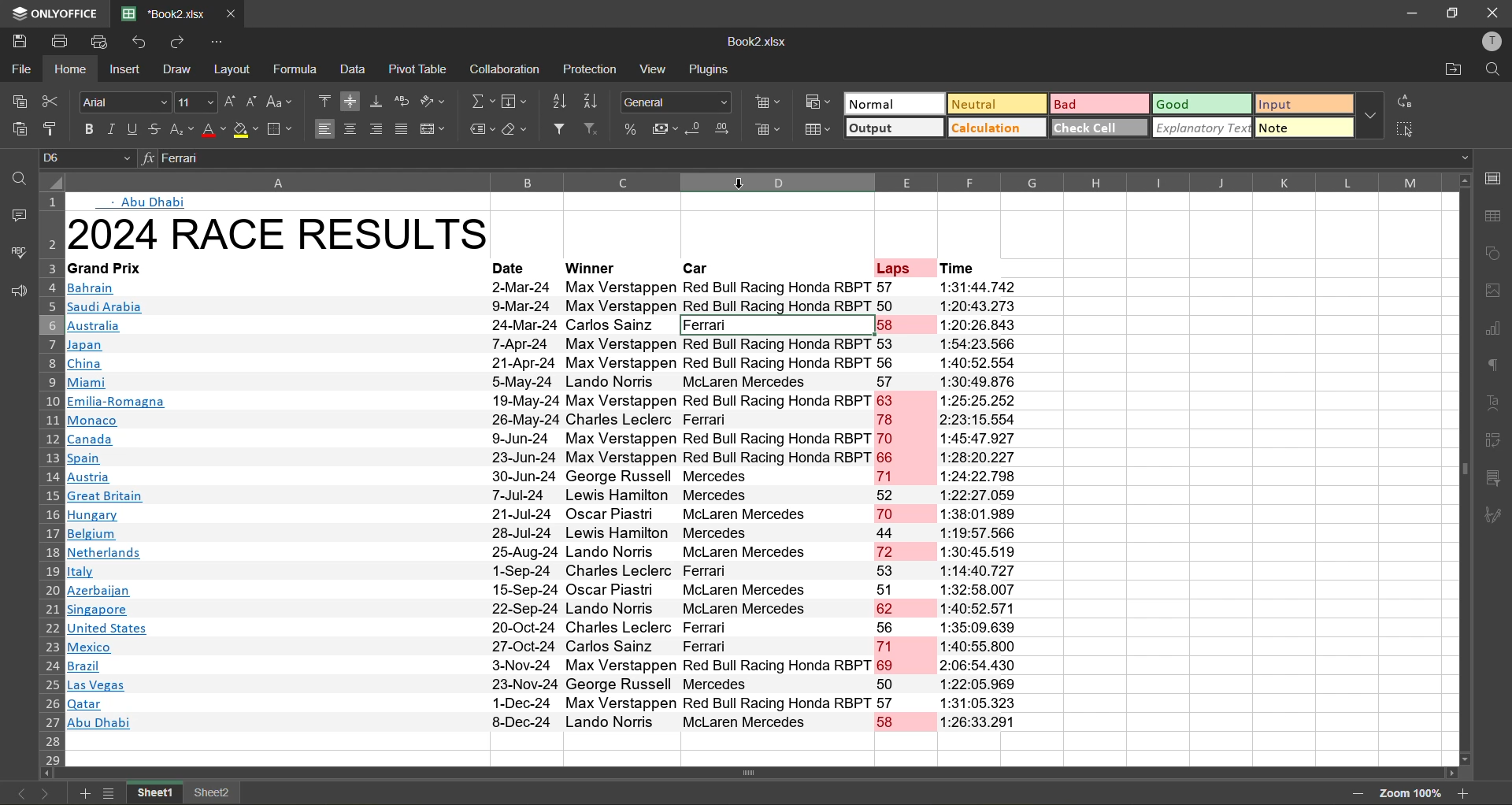 The height and width of the screenshot is (805, 1512). What do you see at coordinates (436, 130) in the screenshot?
I see `merge and center` at bounding box center [436, 130].